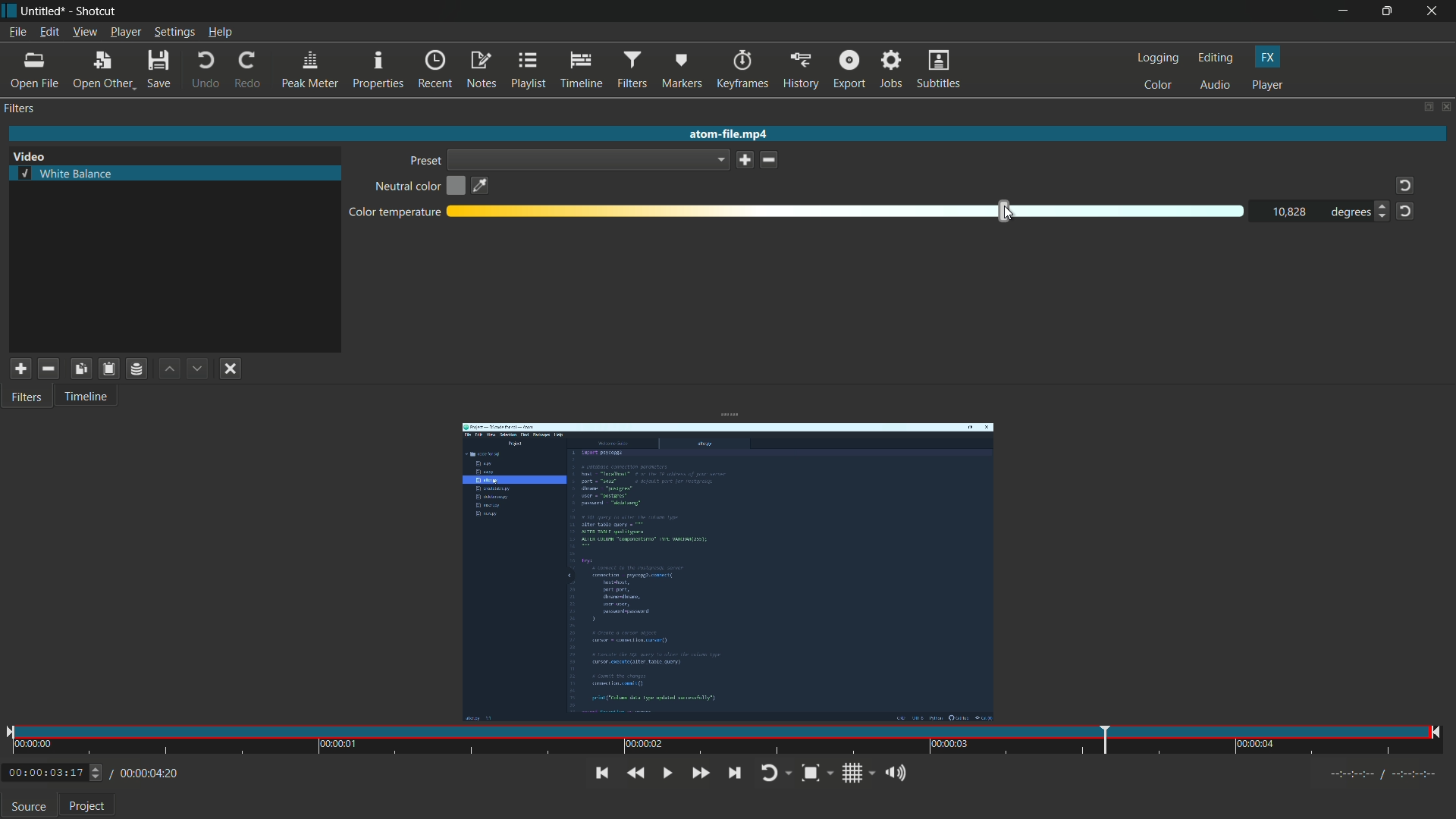  I want to click on 0:00:03:17 (current time), so click(53, 770).